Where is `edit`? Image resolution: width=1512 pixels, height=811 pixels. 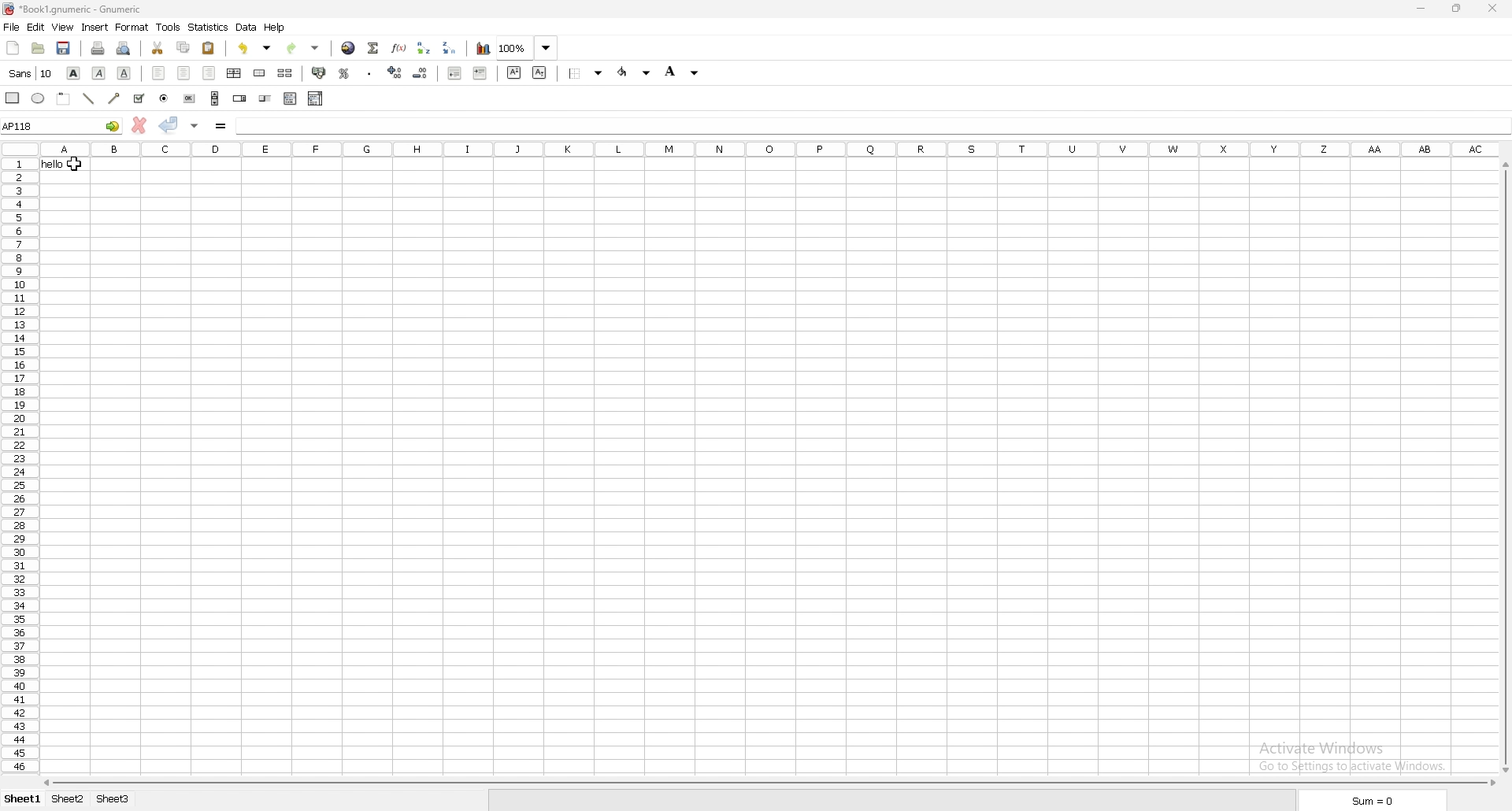
edit is located at coordinates (36, 27).